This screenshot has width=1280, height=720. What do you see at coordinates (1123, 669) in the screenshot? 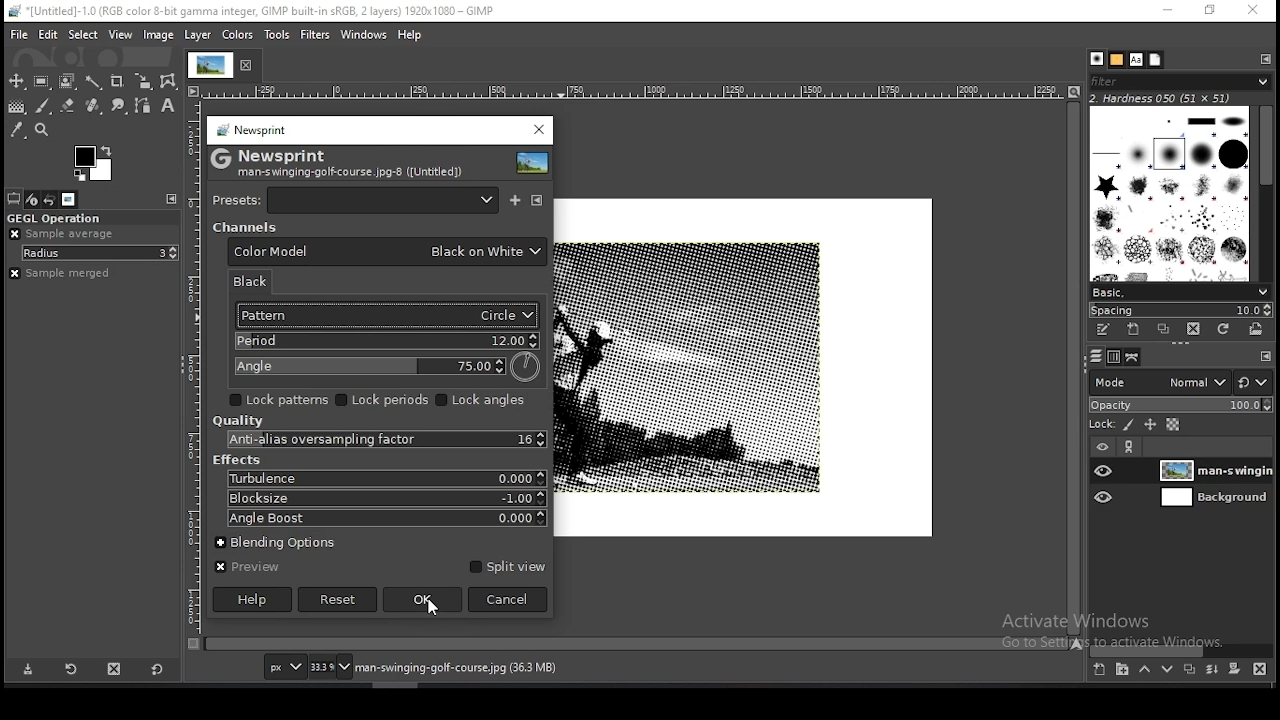
I see `create a new layer group` at bounding box center [1123, 669].